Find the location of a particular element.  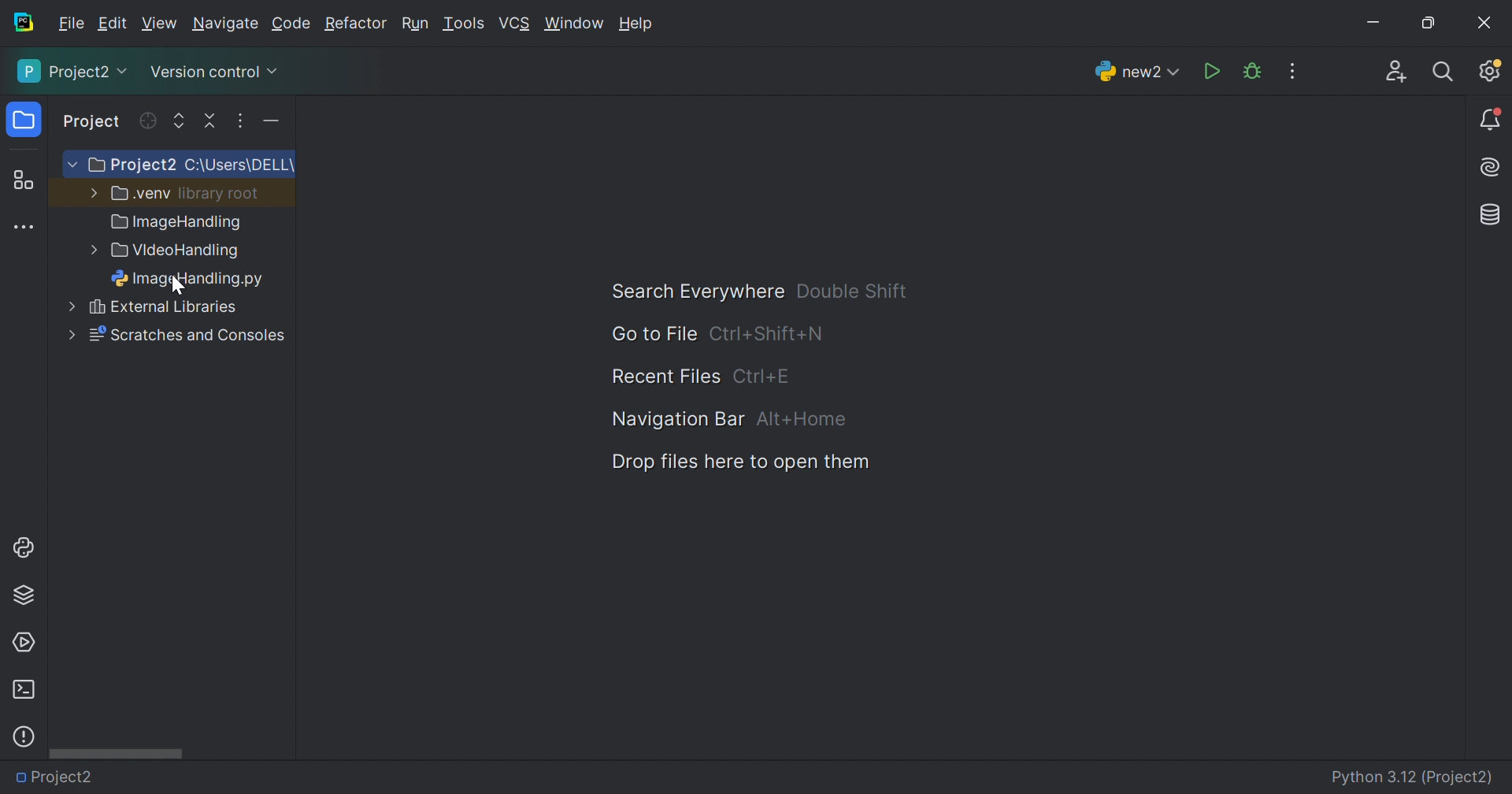

VCS is located at coordinates (516, 24).